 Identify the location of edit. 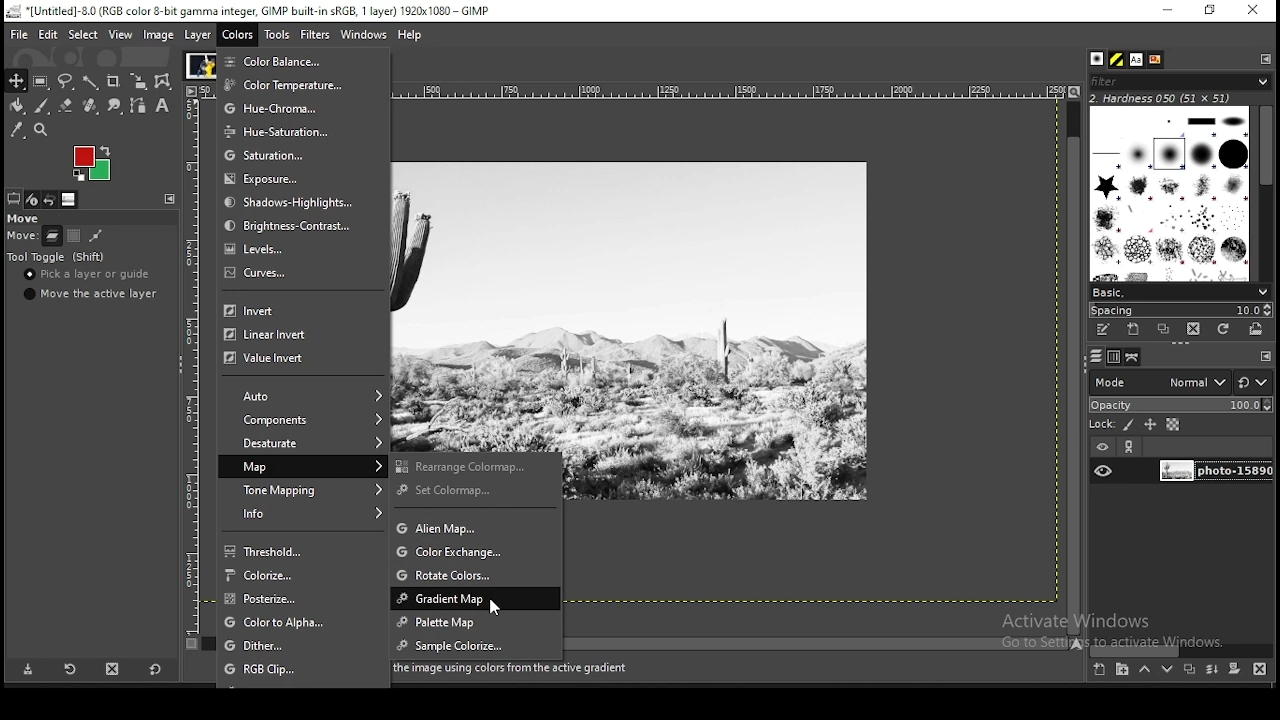
(50, 34).